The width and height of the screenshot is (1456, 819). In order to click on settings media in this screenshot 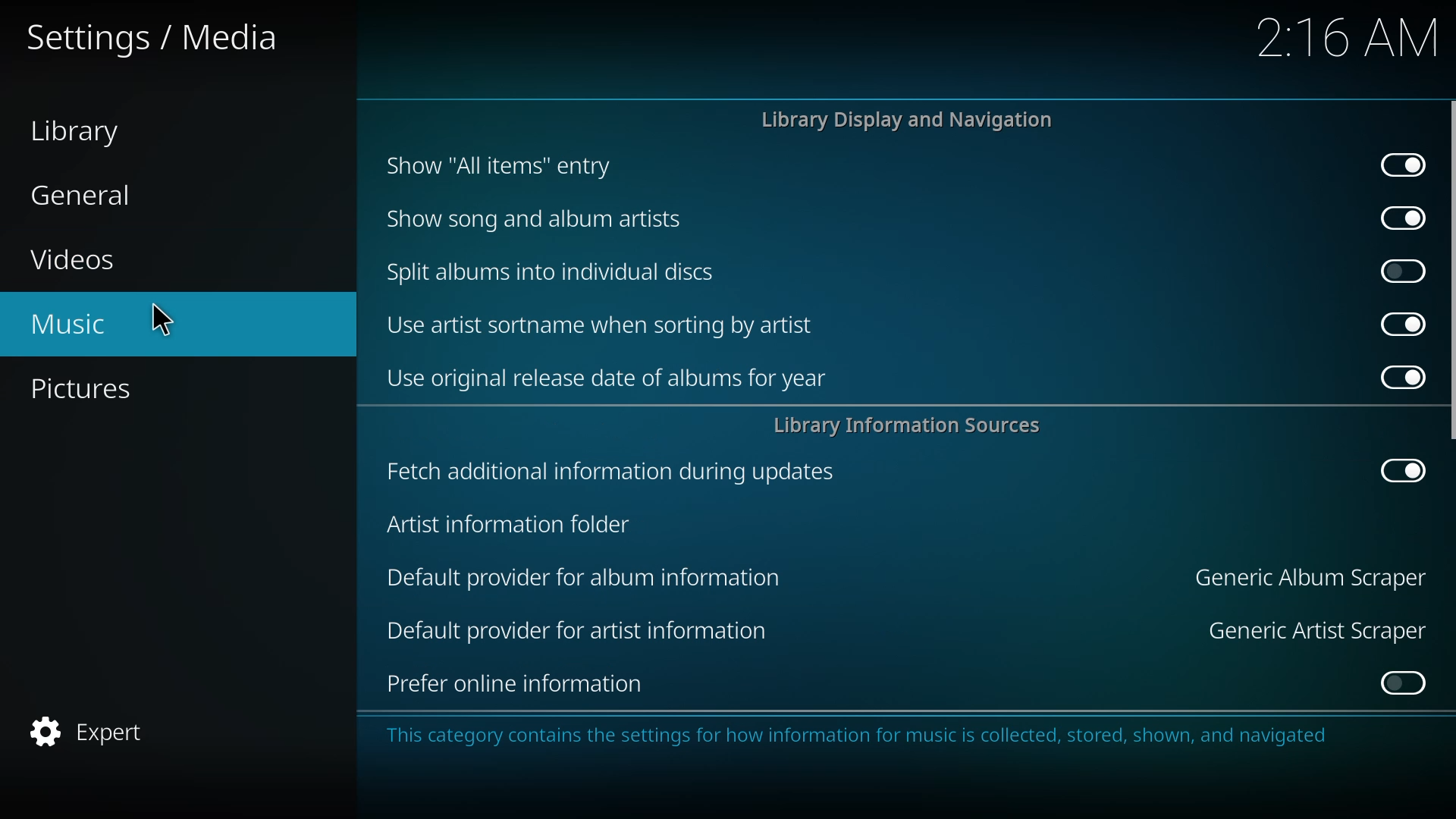, I will do `click(150, 36)`.